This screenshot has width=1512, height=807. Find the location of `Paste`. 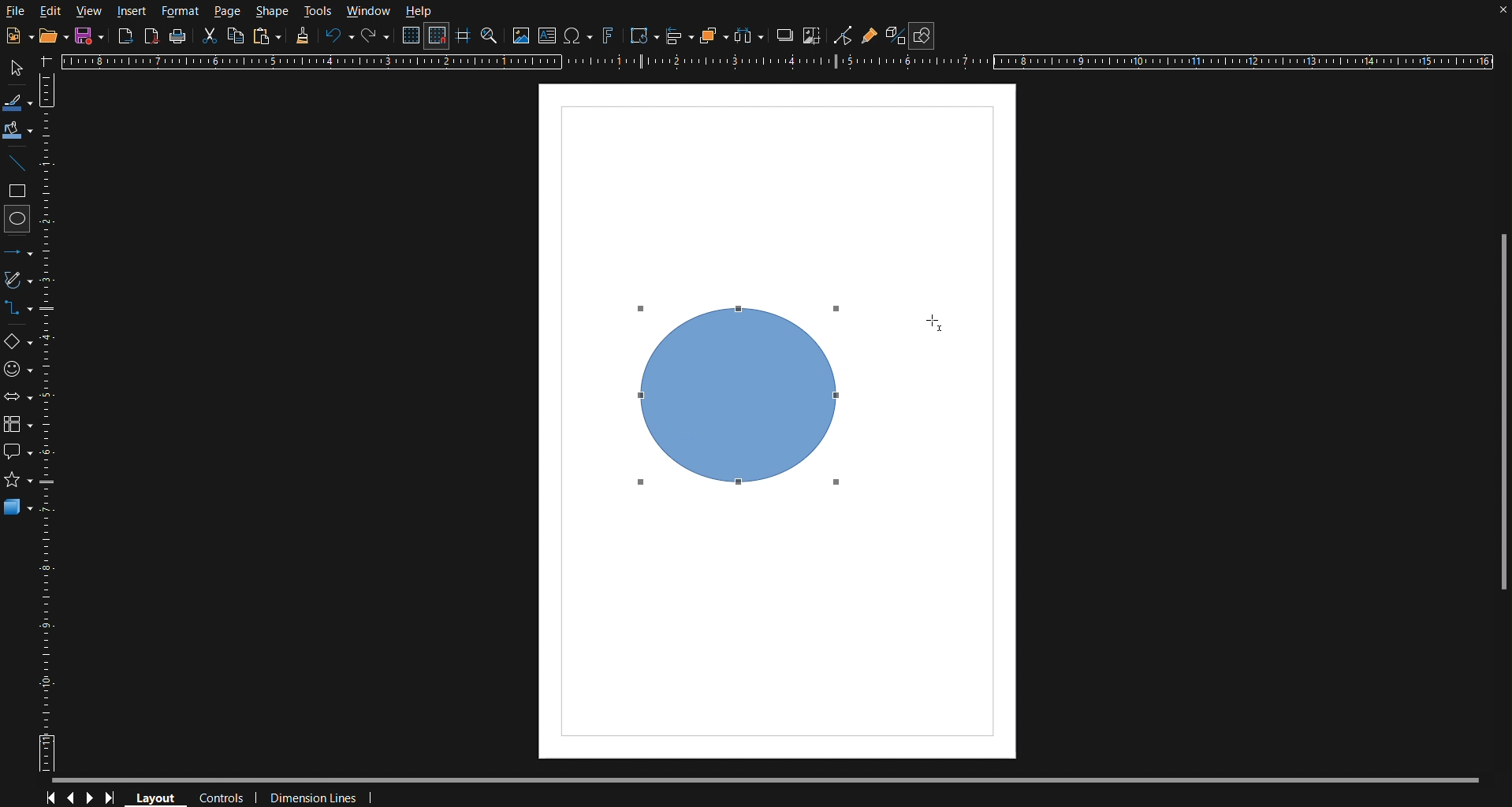

Paste is located at coordinates (267, 36).